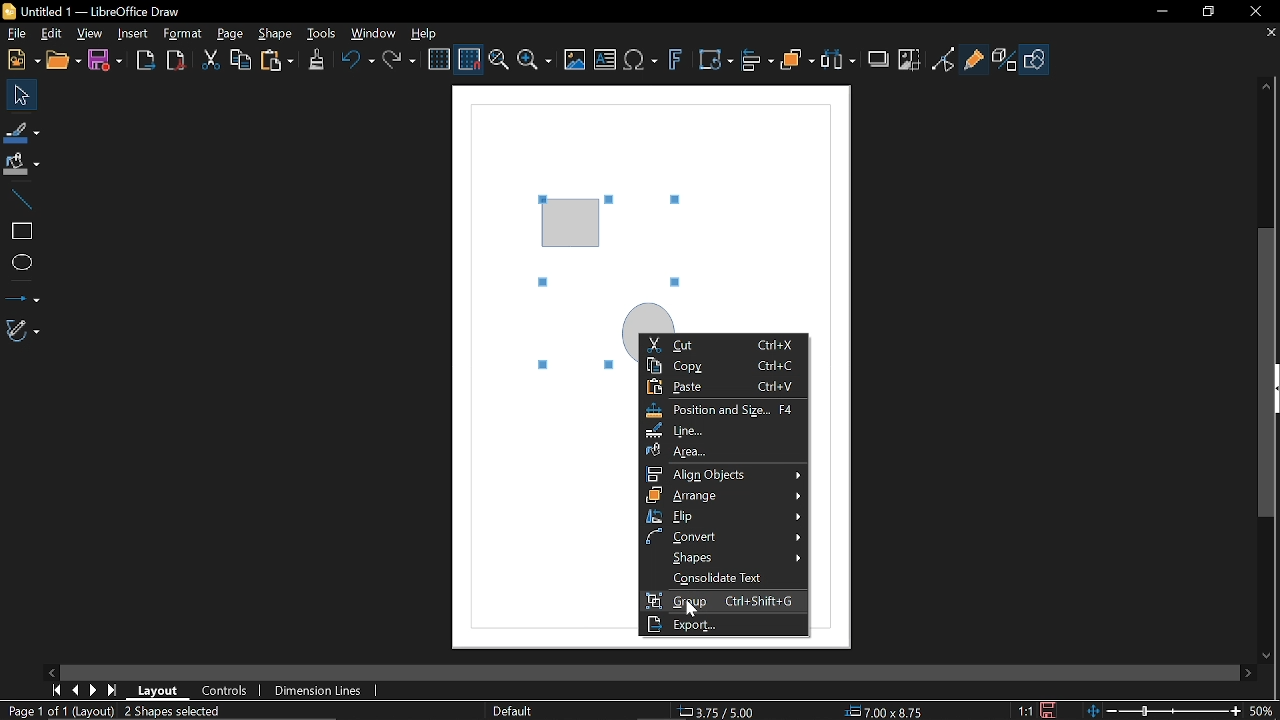 This screenshot has width=1280, height=720. What do you see at coordinates (722, 558) in the screenshot?
I see `Shapes` at bounding box center [722, 558].